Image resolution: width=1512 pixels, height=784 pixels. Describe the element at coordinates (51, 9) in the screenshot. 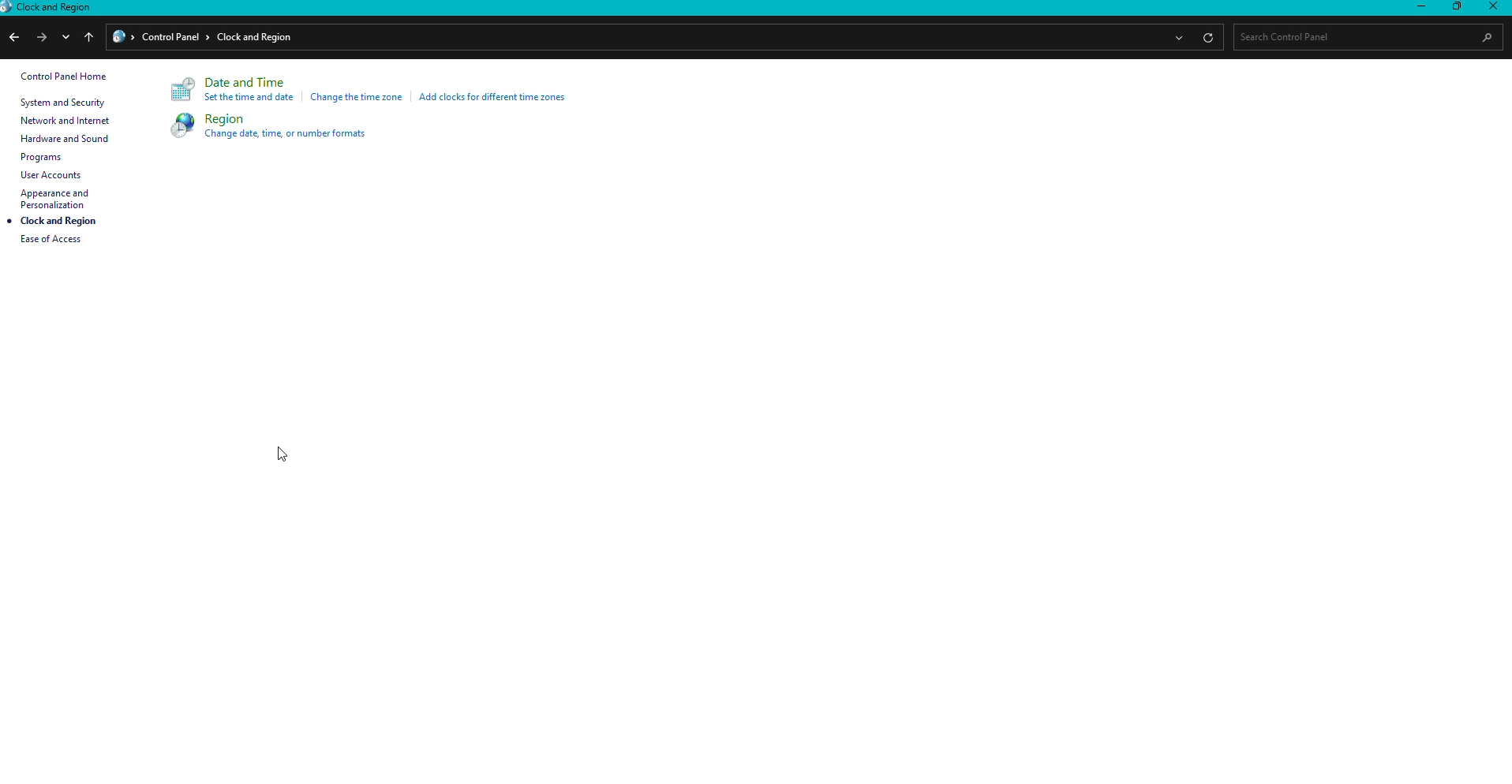

I see `Clock and region` at that location.